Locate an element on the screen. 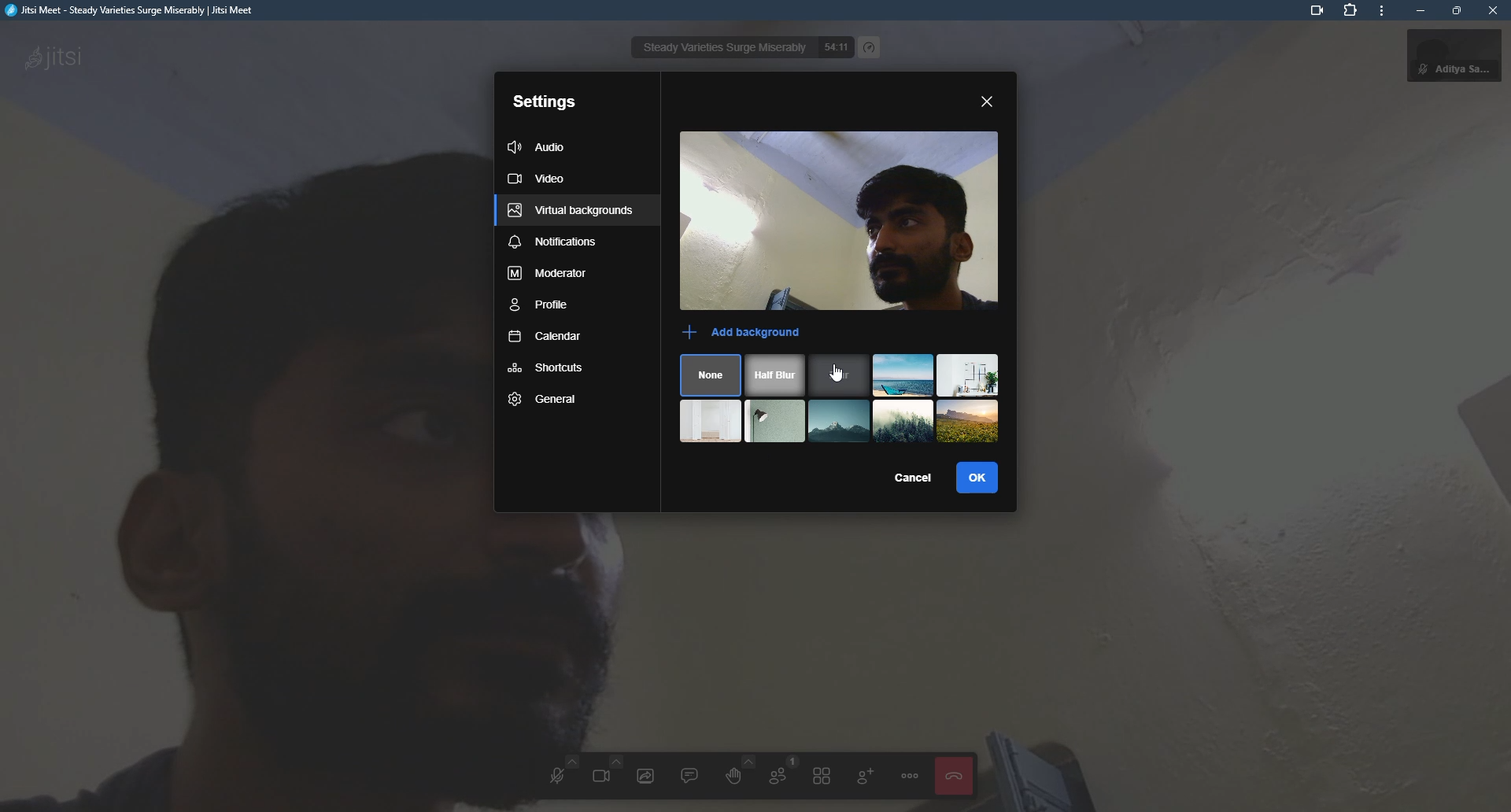  minimize is located at coordinates (1417, 11).